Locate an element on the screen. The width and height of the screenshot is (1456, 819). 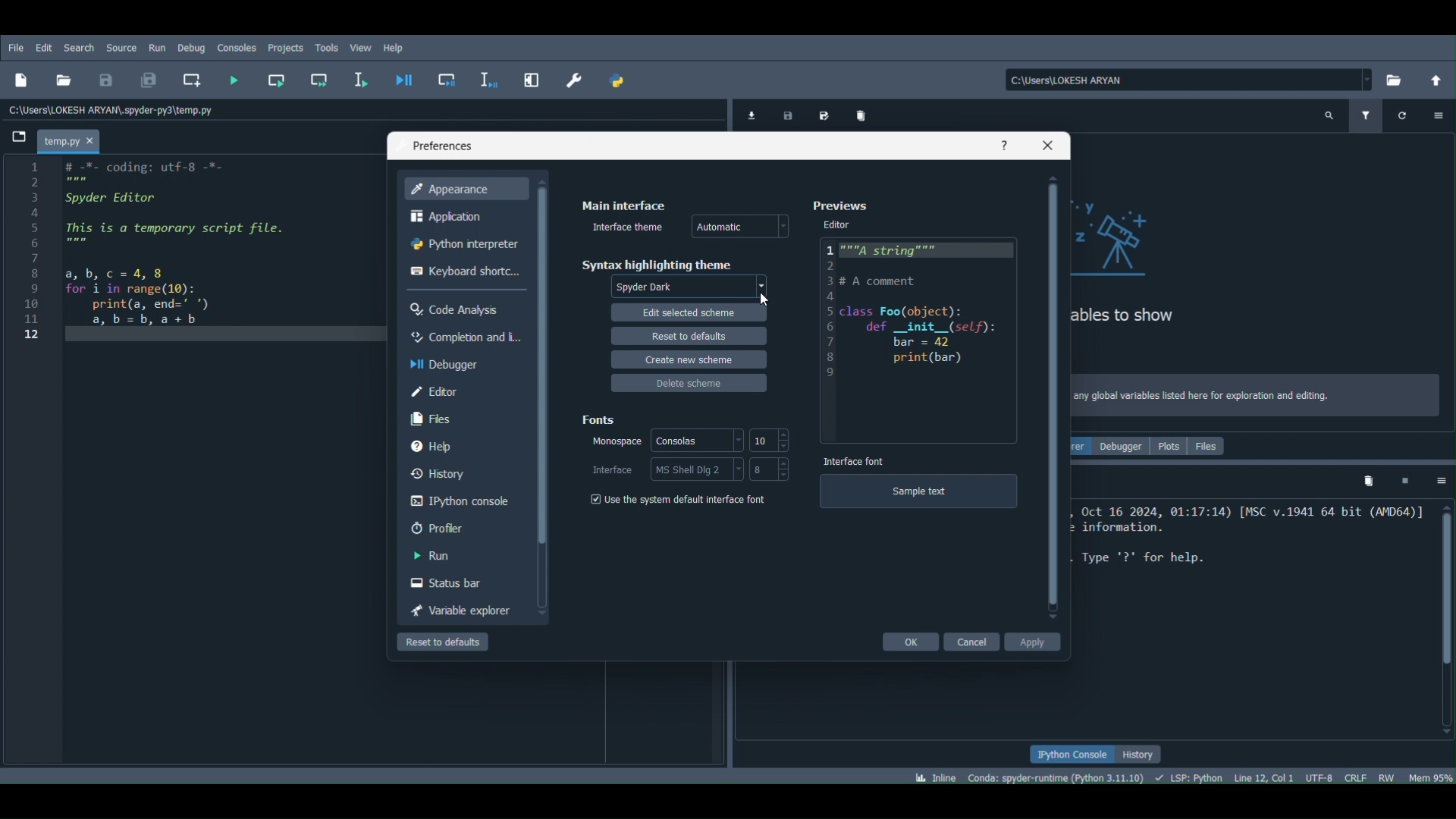
Keyboard shortcuts is located at coordinates (469, 268).